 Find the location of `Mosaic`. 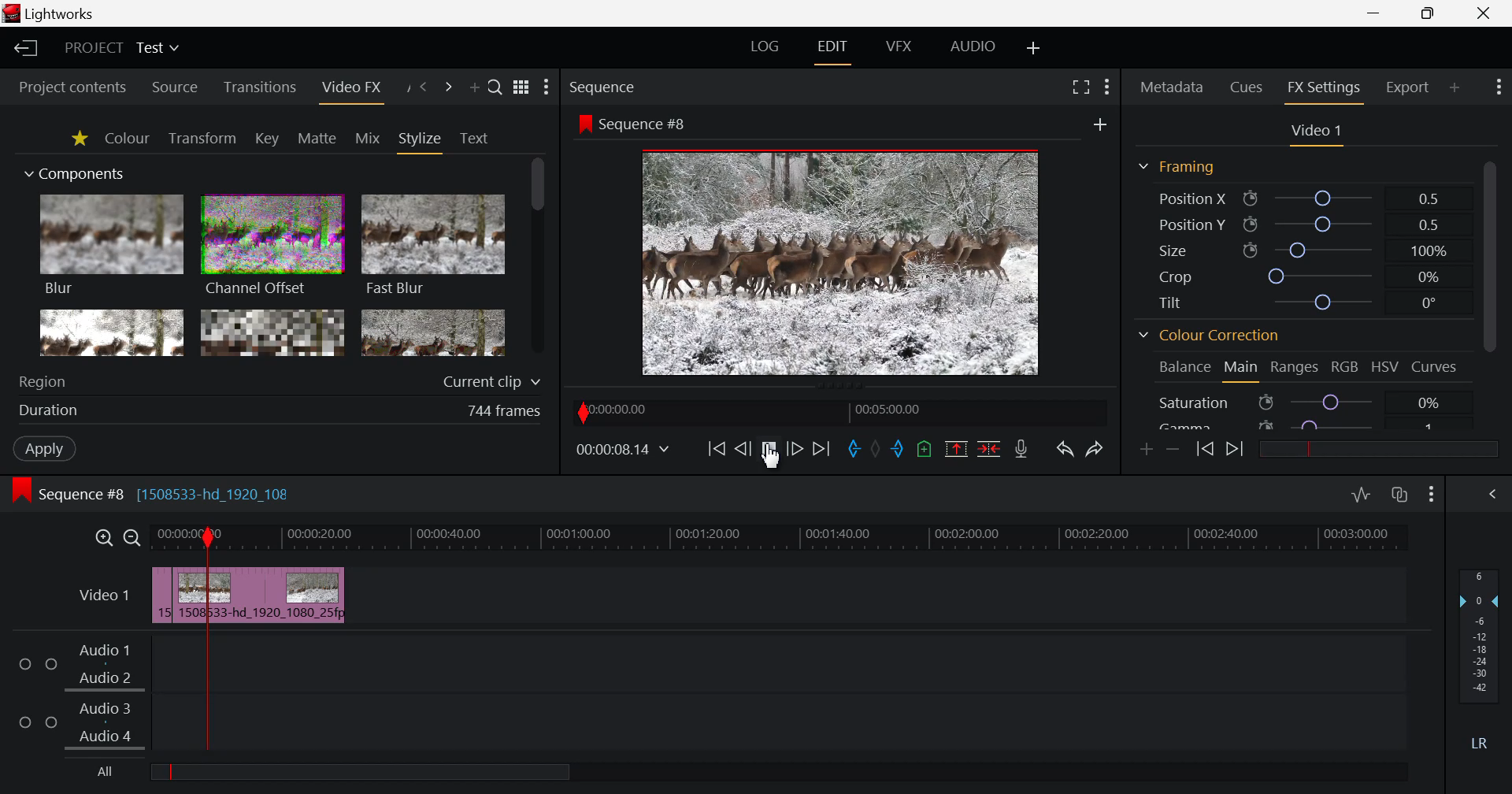

Mosaic is located at coordinates (271, 332).